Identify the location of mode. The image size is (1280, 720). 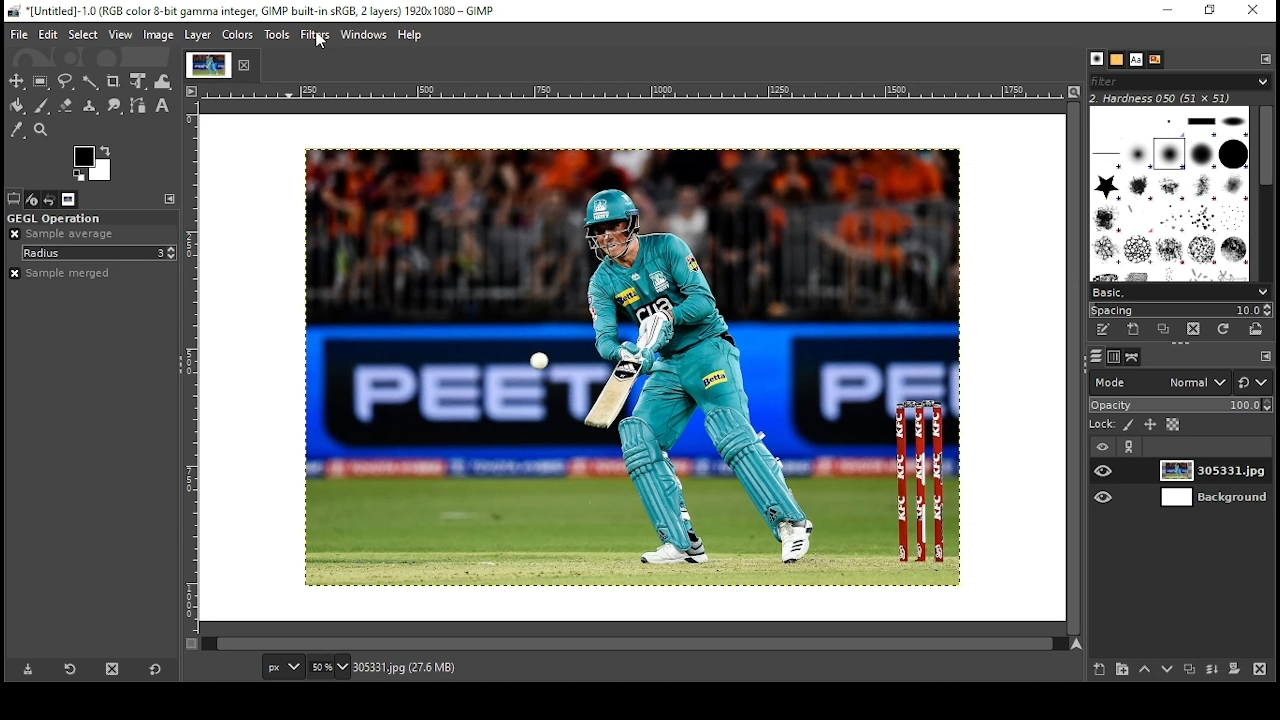
(1161, 382).